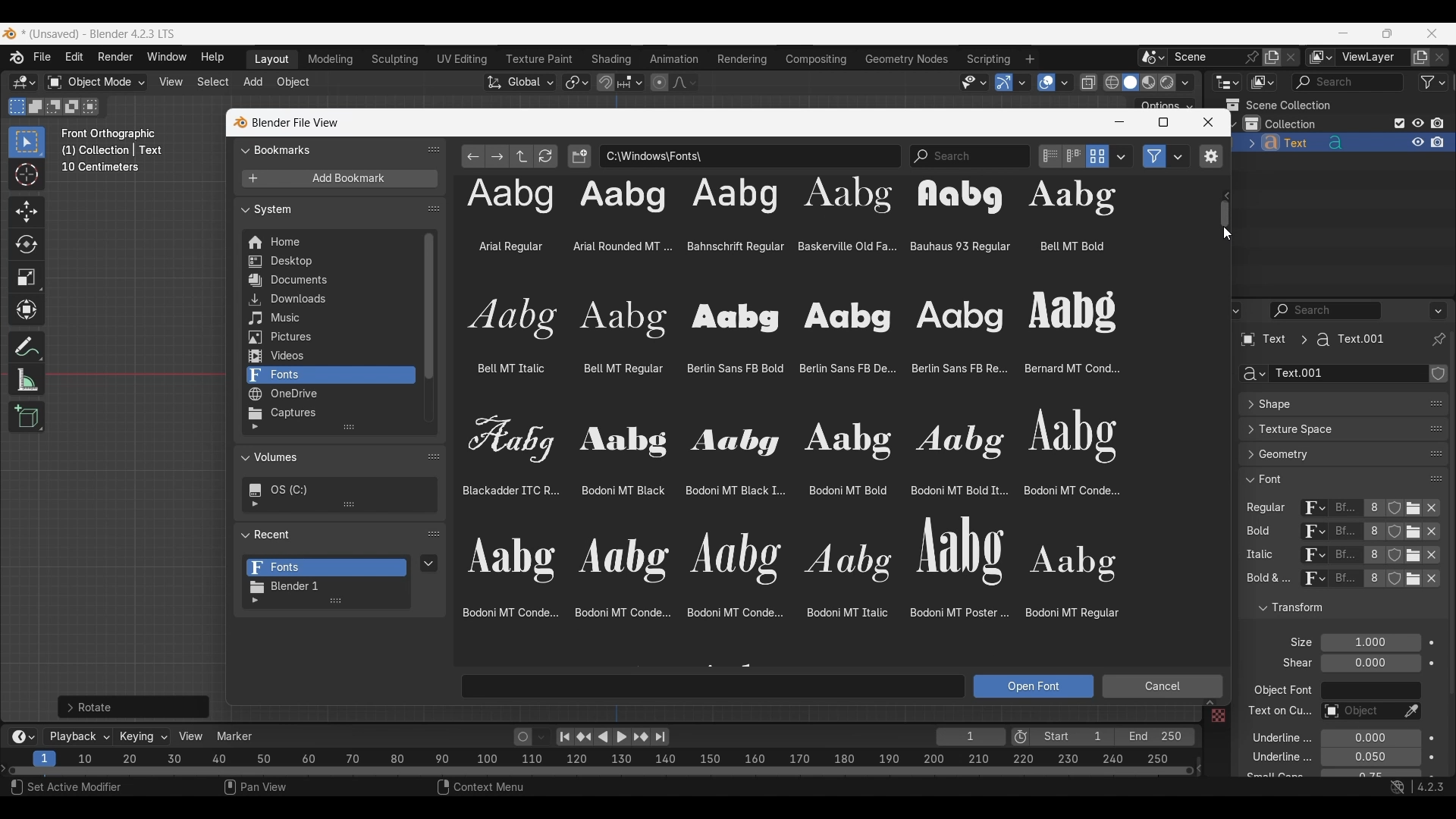  What do you see at coordinates (255, 601) in the screenshot?
I see `Show filtering options` at bounding box center [255, 601].